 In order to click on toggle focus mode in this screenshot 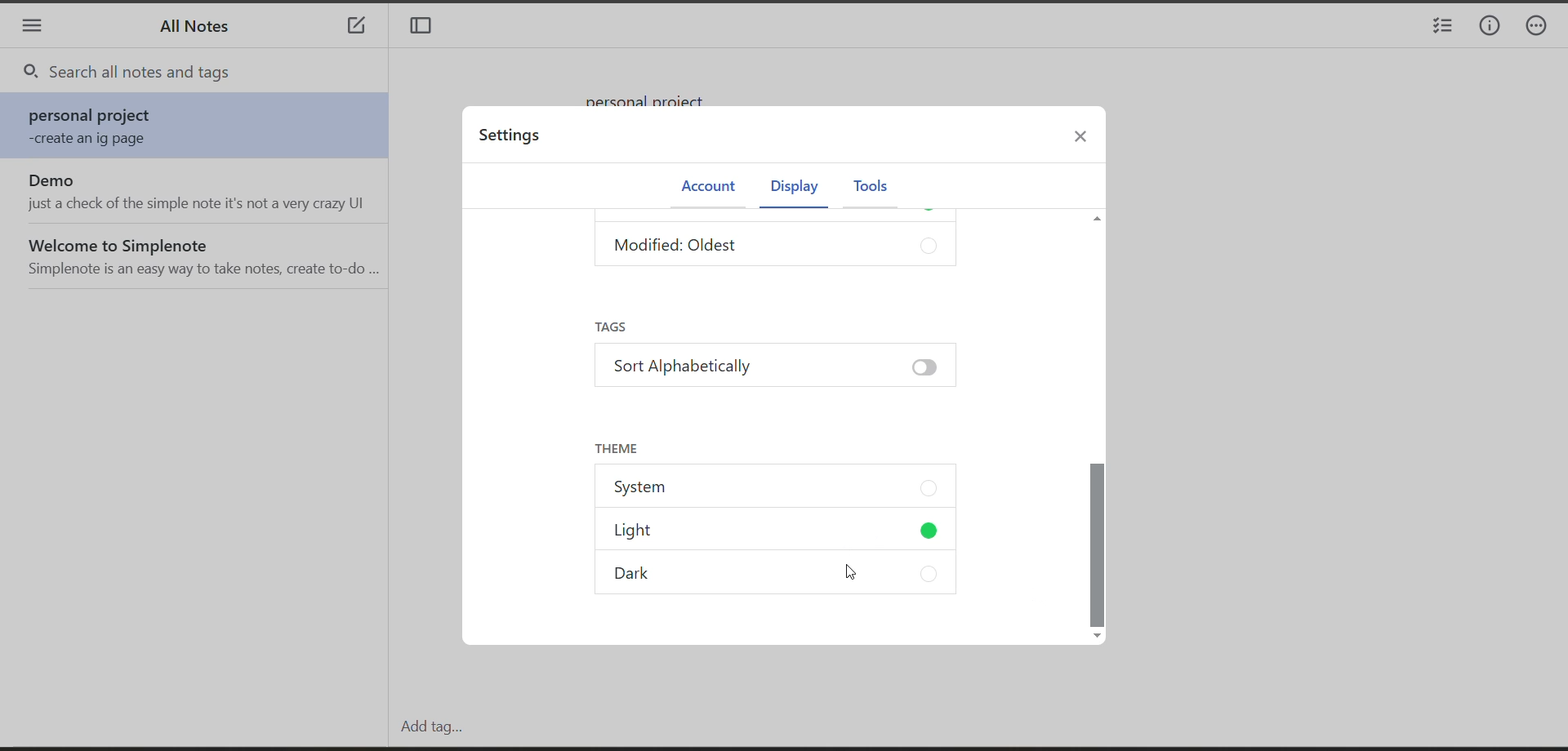, I will do `click(426, 28)`.